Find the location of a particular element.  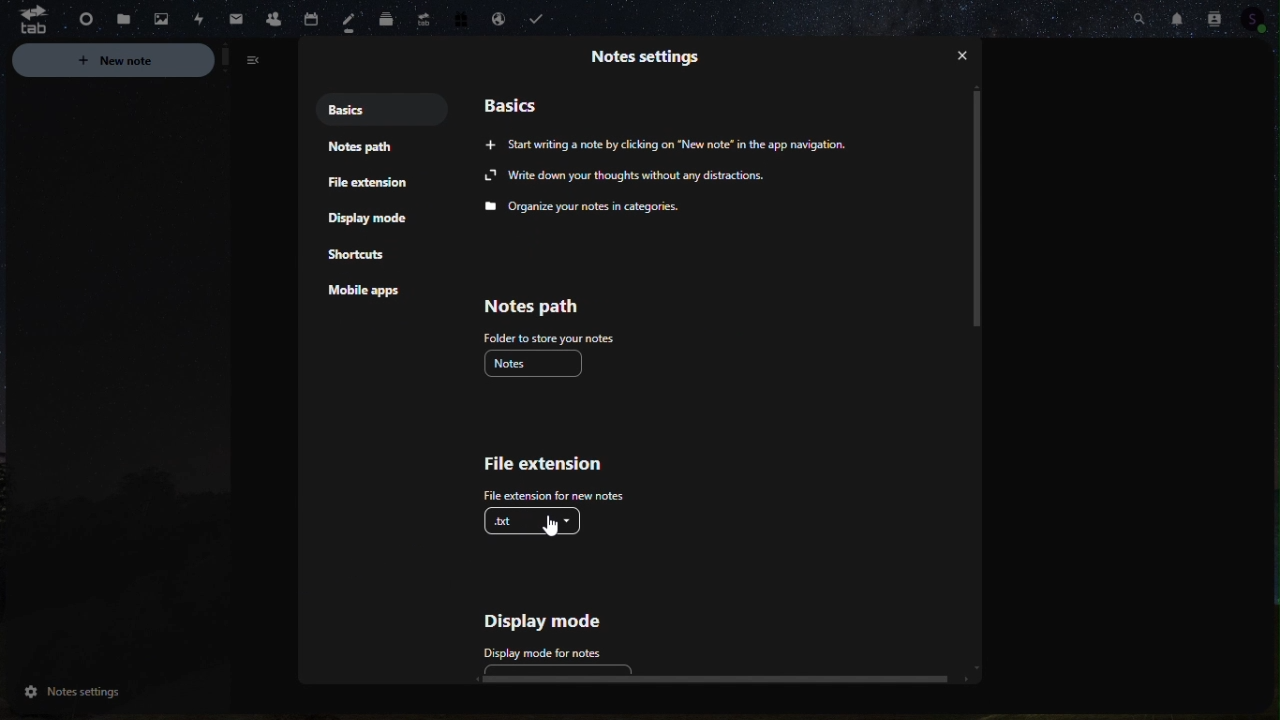

Basics is located at coordinates (524, 101).